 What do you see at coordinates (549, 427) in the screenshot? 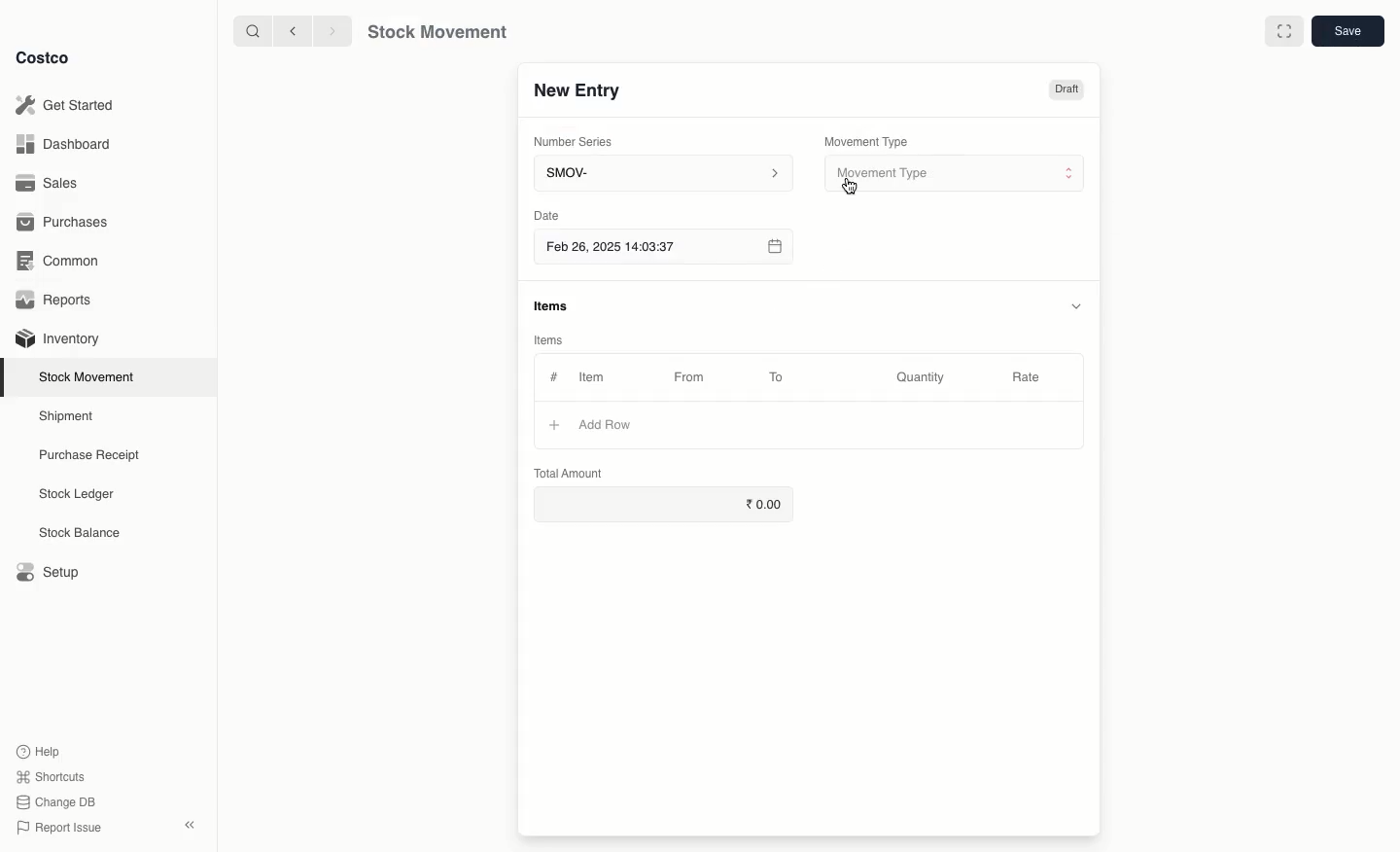
I see `+` at bounding box center [549, 427].